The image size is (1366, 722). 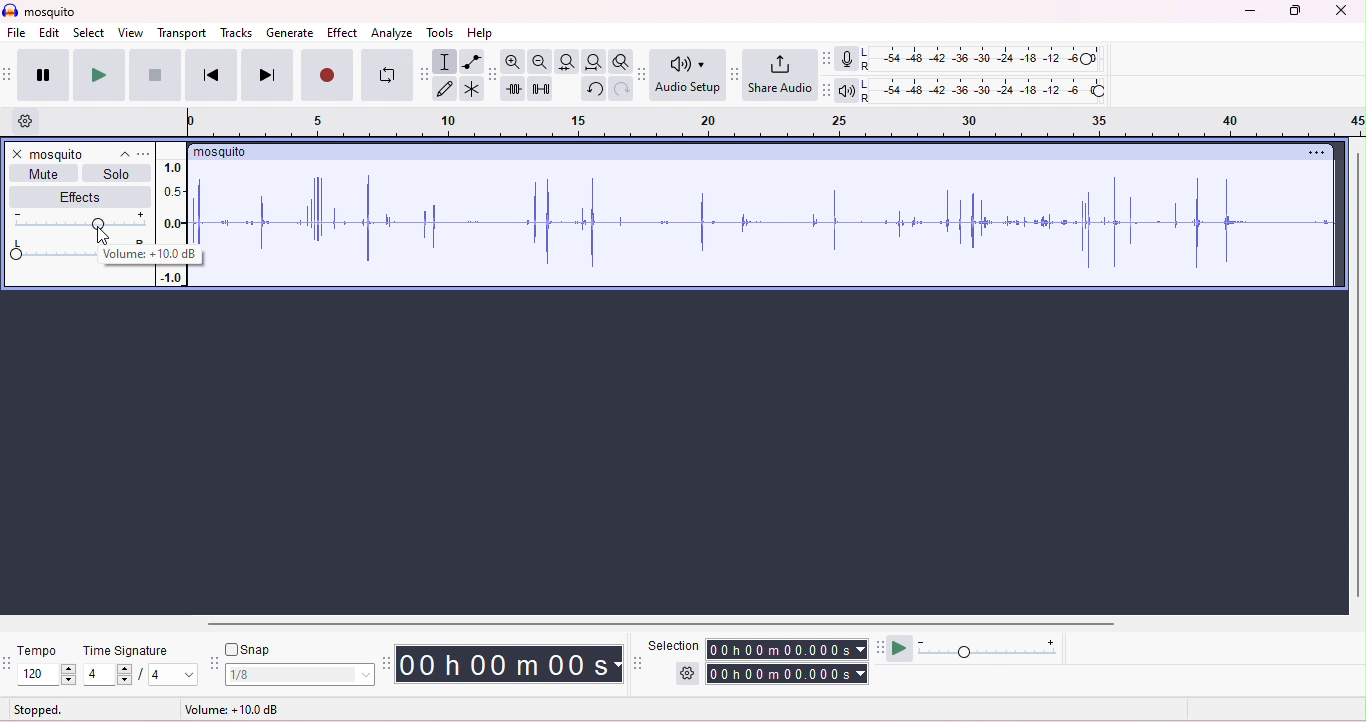 What do you see at coordinates (675, 646) in the screenshot?
I see `selection` at bounding box center [675, 646].